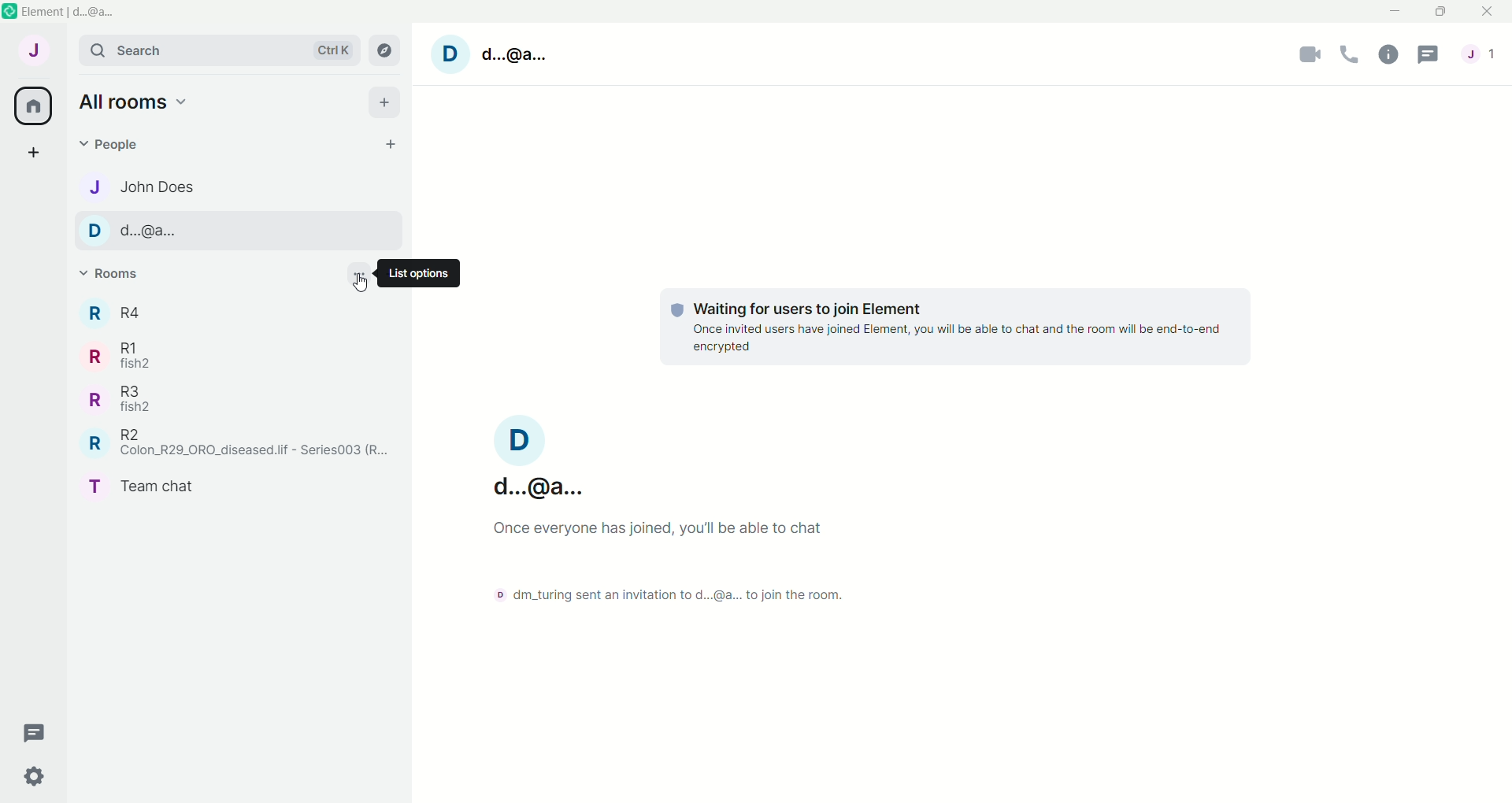 The width and height of the screenshot is (1512, 803). What do you see at coordinates (1388, 54) in the screenshot?
I see `Room Info` at bounding box center [1388, 54].